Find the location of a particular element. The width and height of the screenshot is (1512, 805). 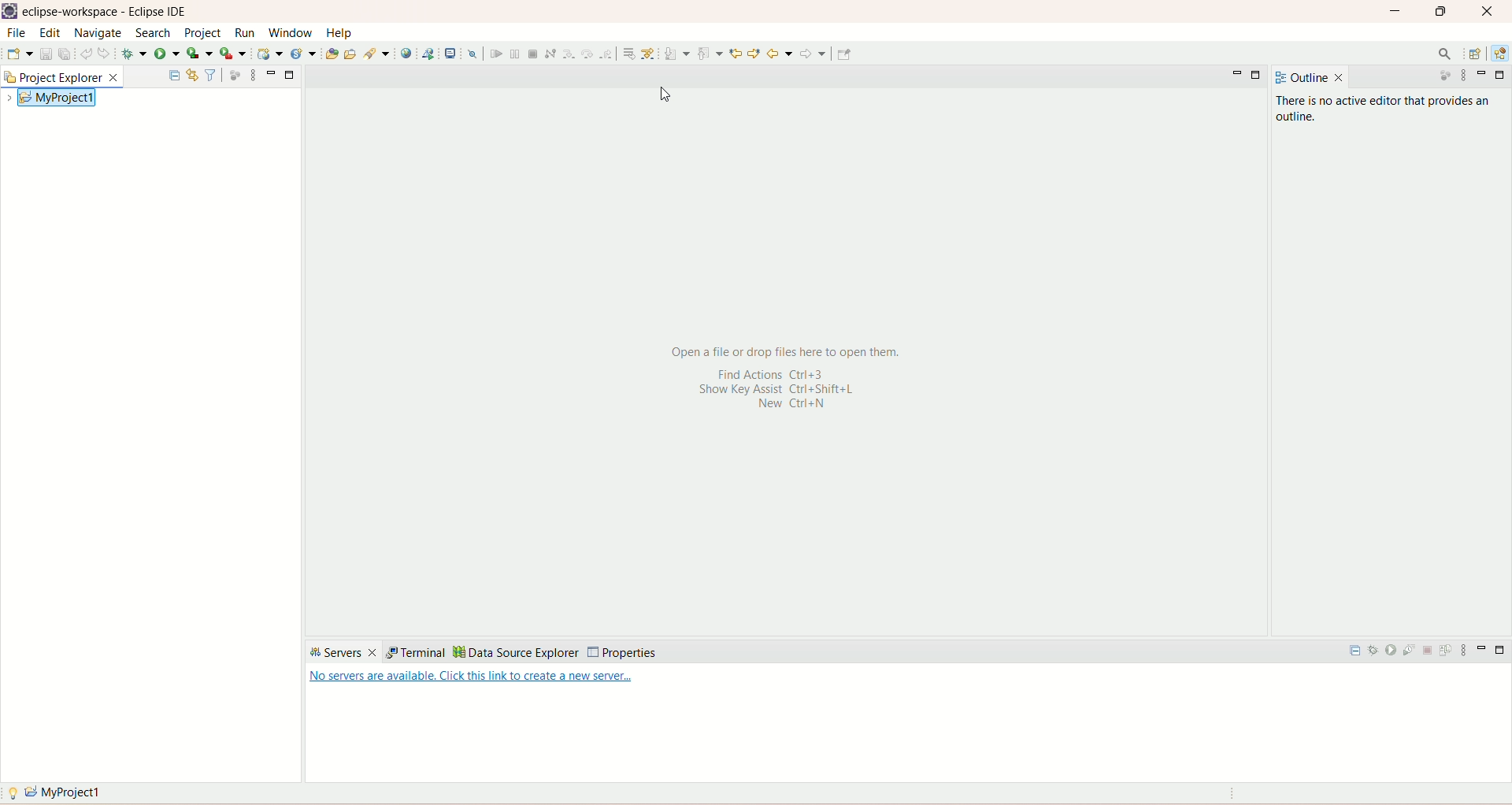

navigate is located at coordinates (98, 34).